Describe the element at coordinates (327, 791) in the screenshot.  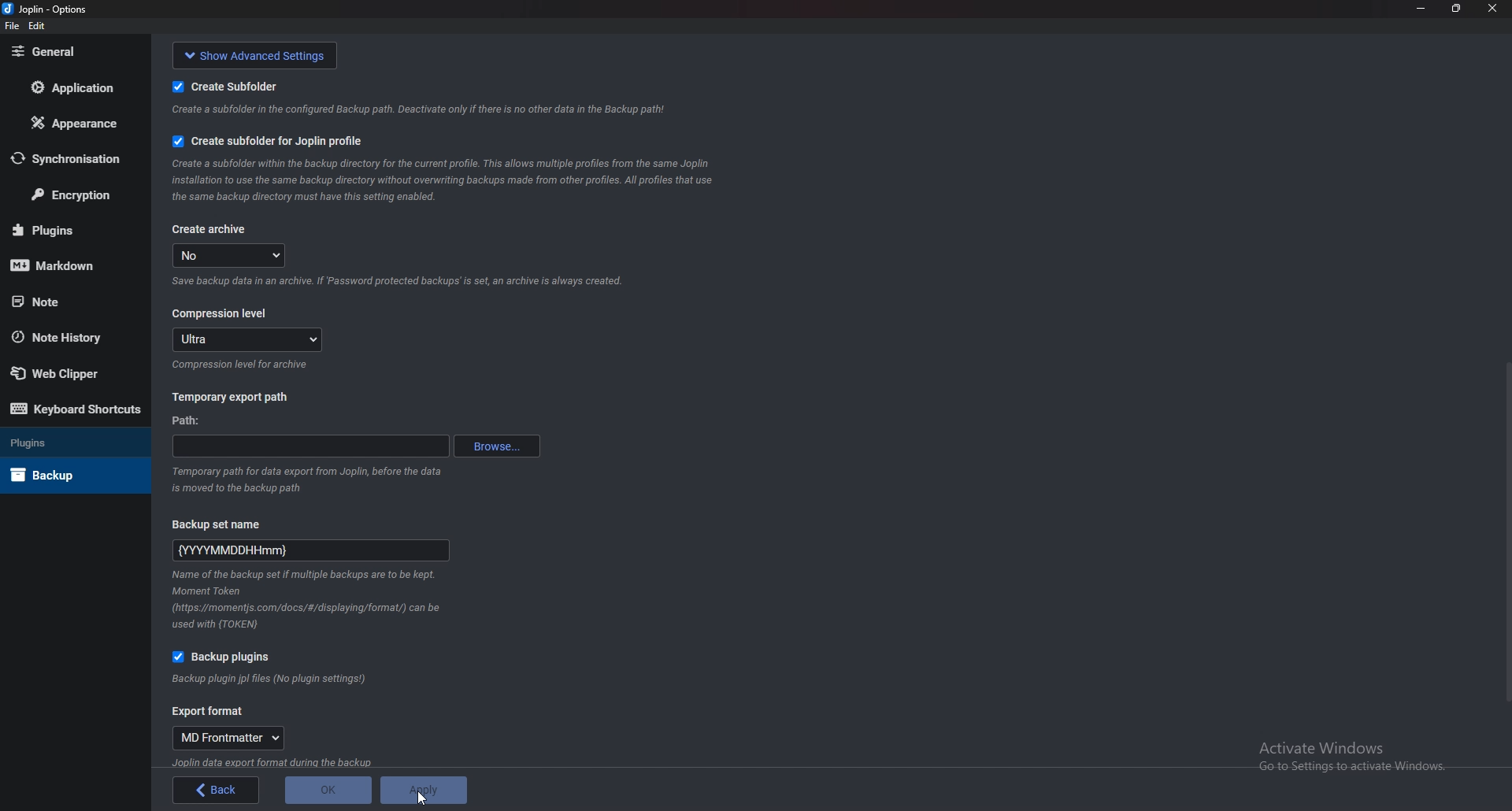
I see `ok` at that location.